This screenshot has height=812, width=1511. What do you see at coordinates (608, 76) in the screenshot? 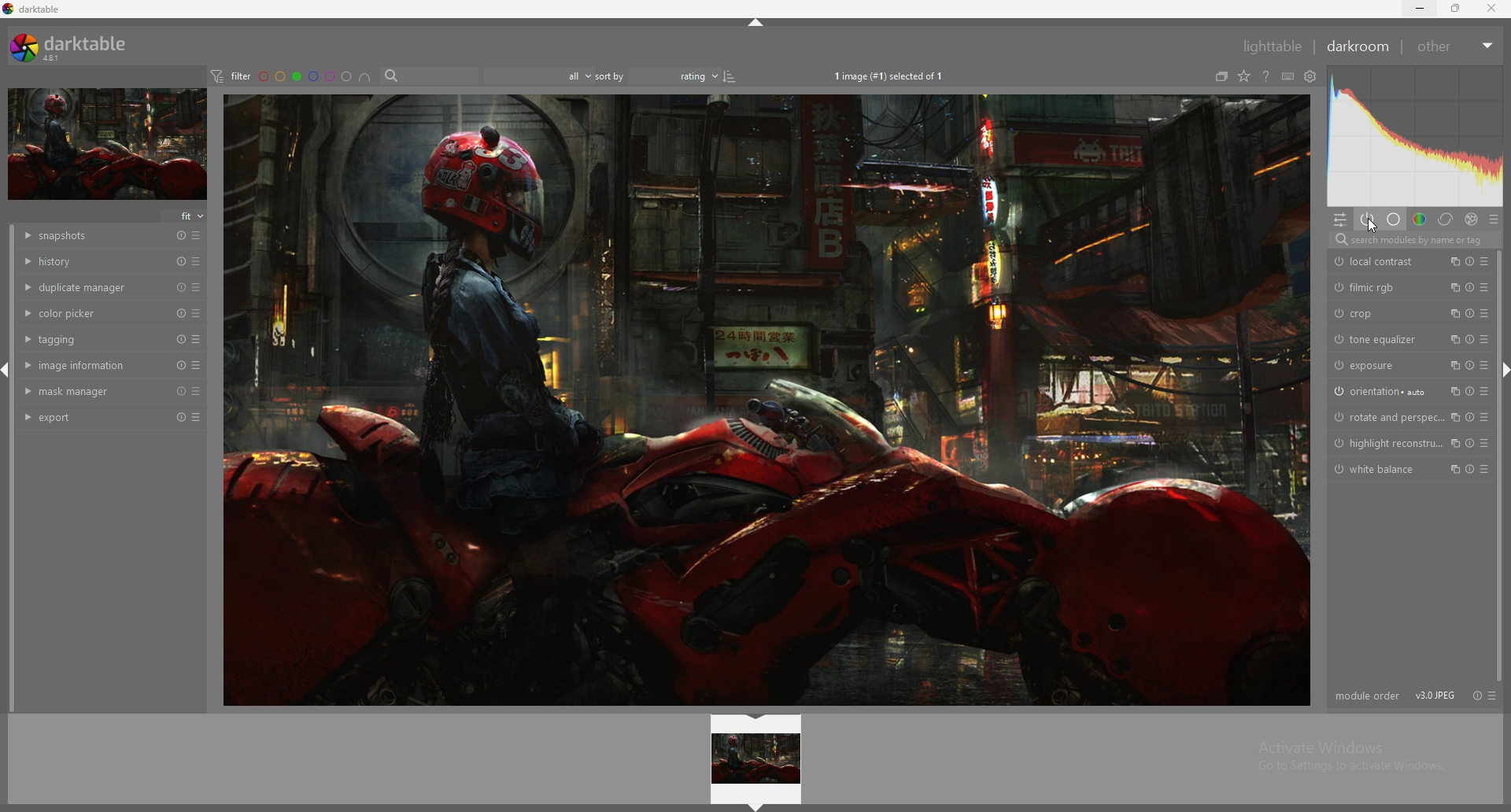
I see `sort by` at bounding box center [608, 76].